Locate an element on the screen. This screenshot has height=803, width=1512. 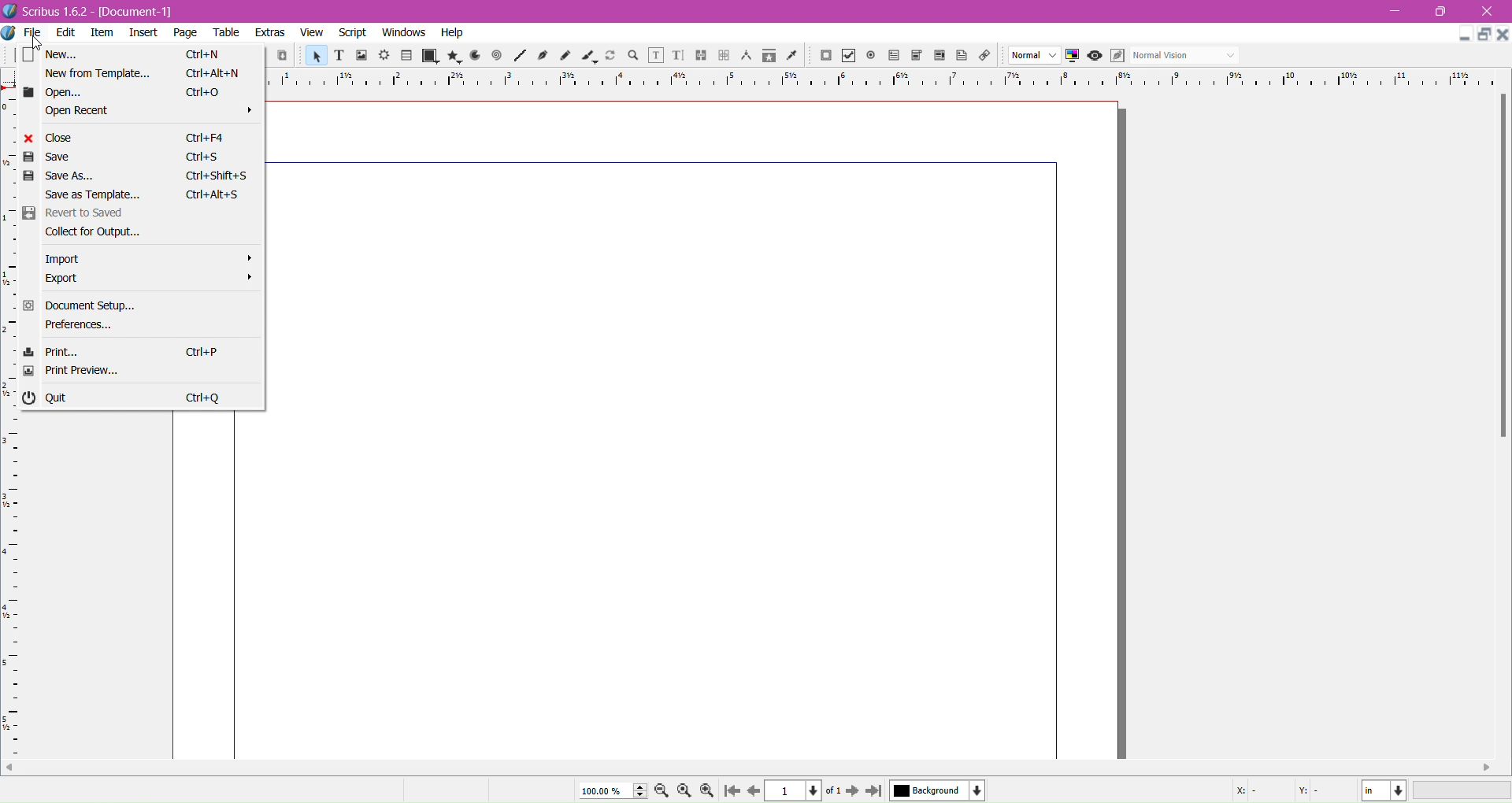
document name is located at coordinates (98, 10).